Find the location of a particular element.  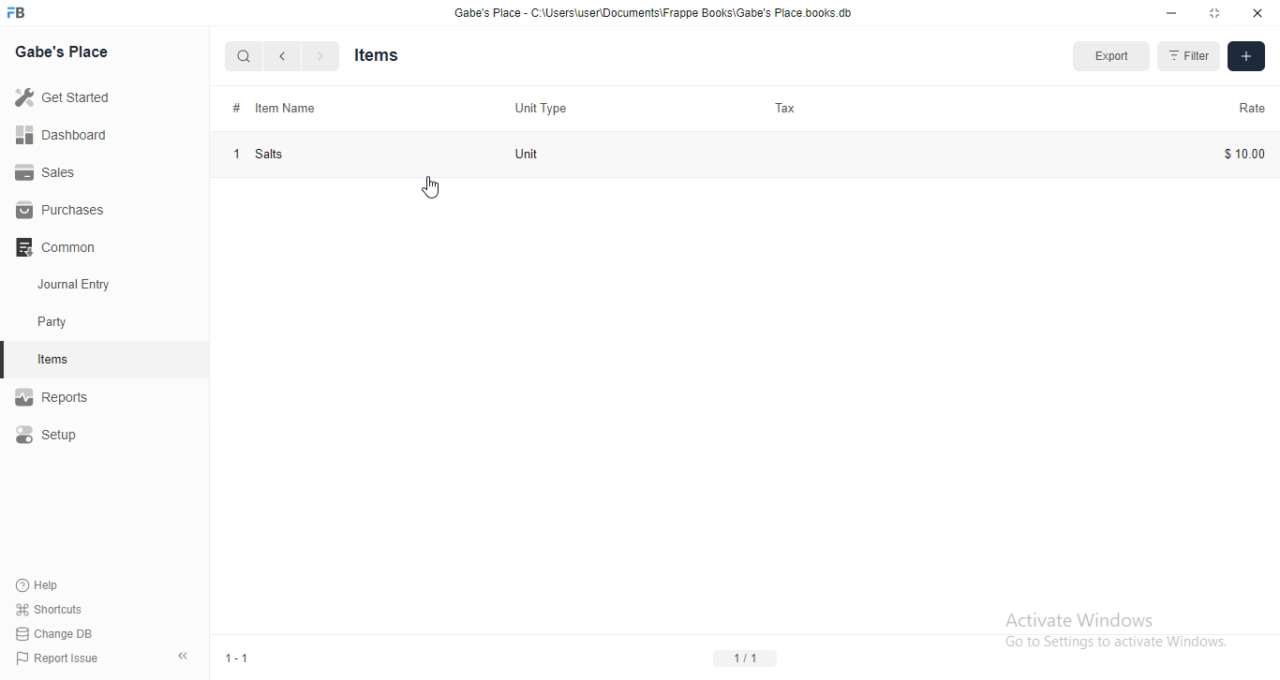

Common is located at coordinates (60, 245).